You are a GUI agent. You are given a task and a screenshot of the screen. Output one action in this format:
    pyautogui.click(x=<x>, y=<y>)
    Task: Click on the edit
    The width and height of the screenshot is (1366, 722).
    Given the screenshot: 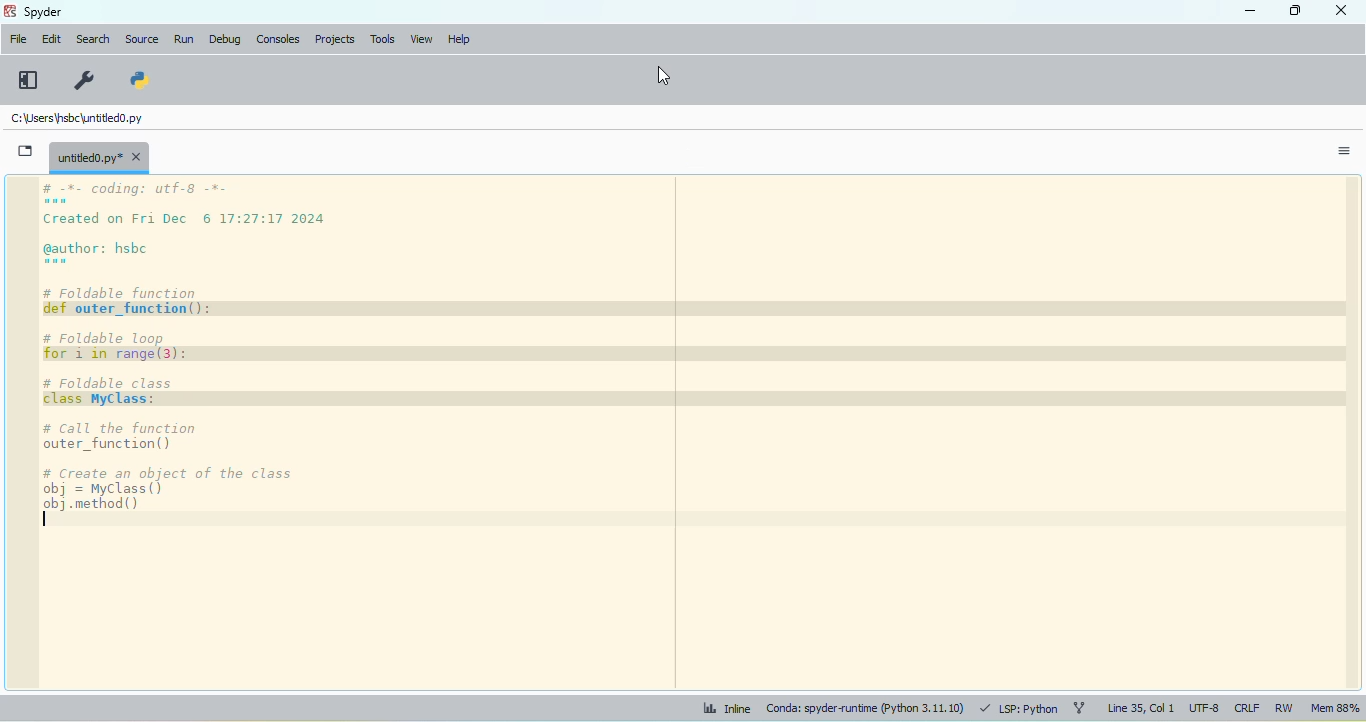 What is the action you would take?
    pyautogui.click(x=50, y=38)
    